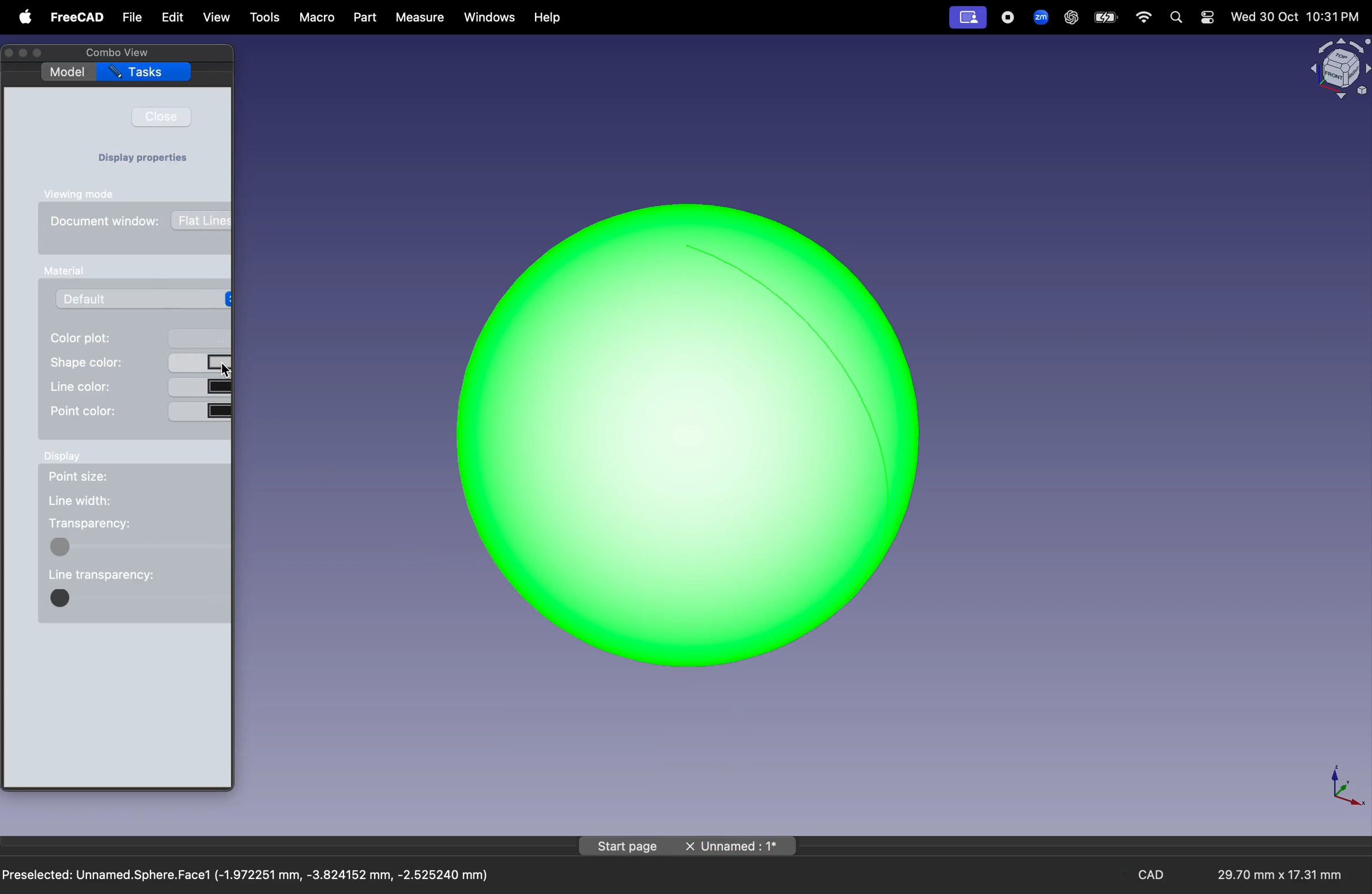  What do you see at coordinates (22, 17) in the screenshot?
I see `apple menu` at bounding box center [22, 17].